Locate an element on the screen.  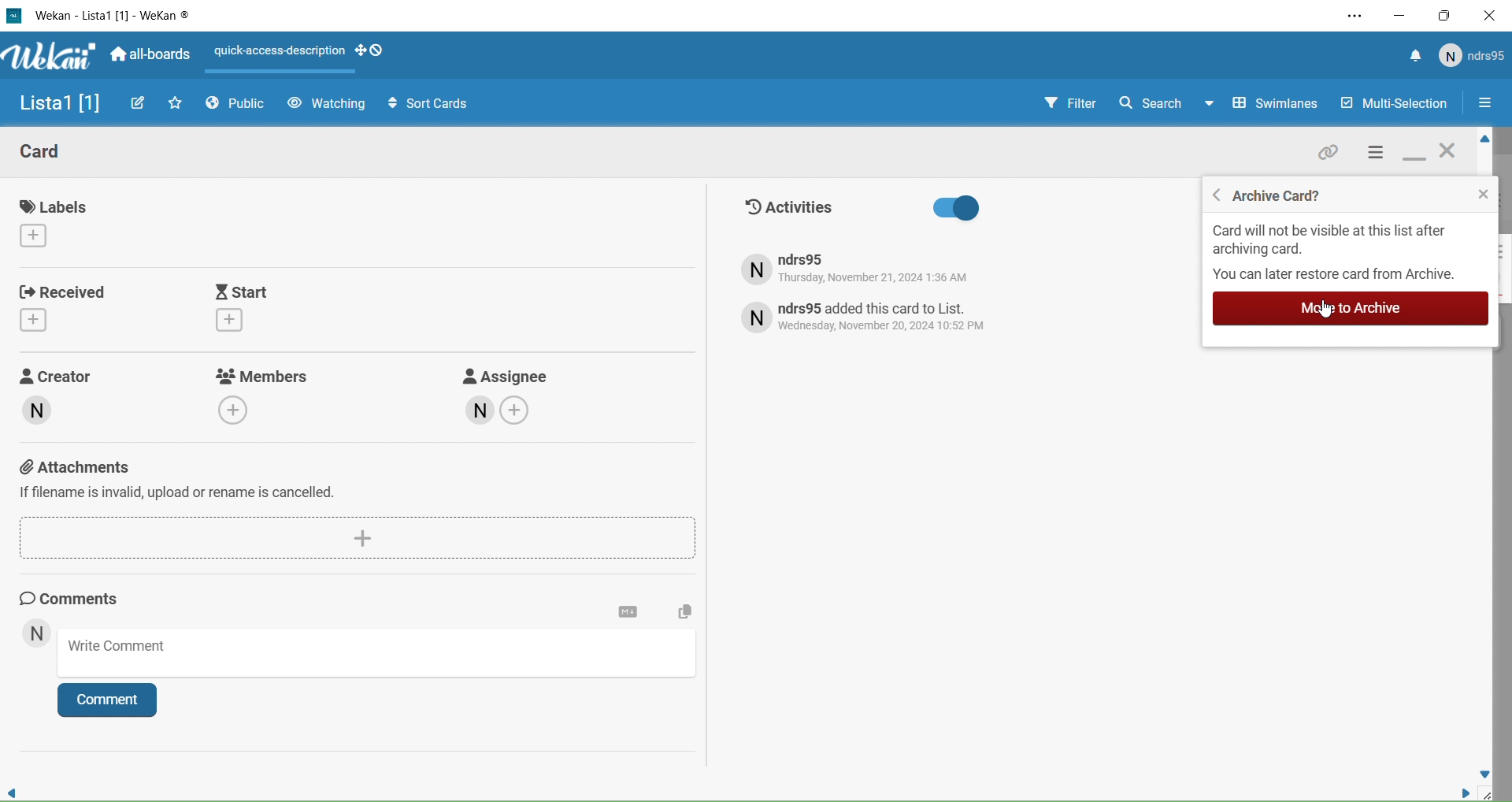
Settings and More is located at coordinates (1363, 16).